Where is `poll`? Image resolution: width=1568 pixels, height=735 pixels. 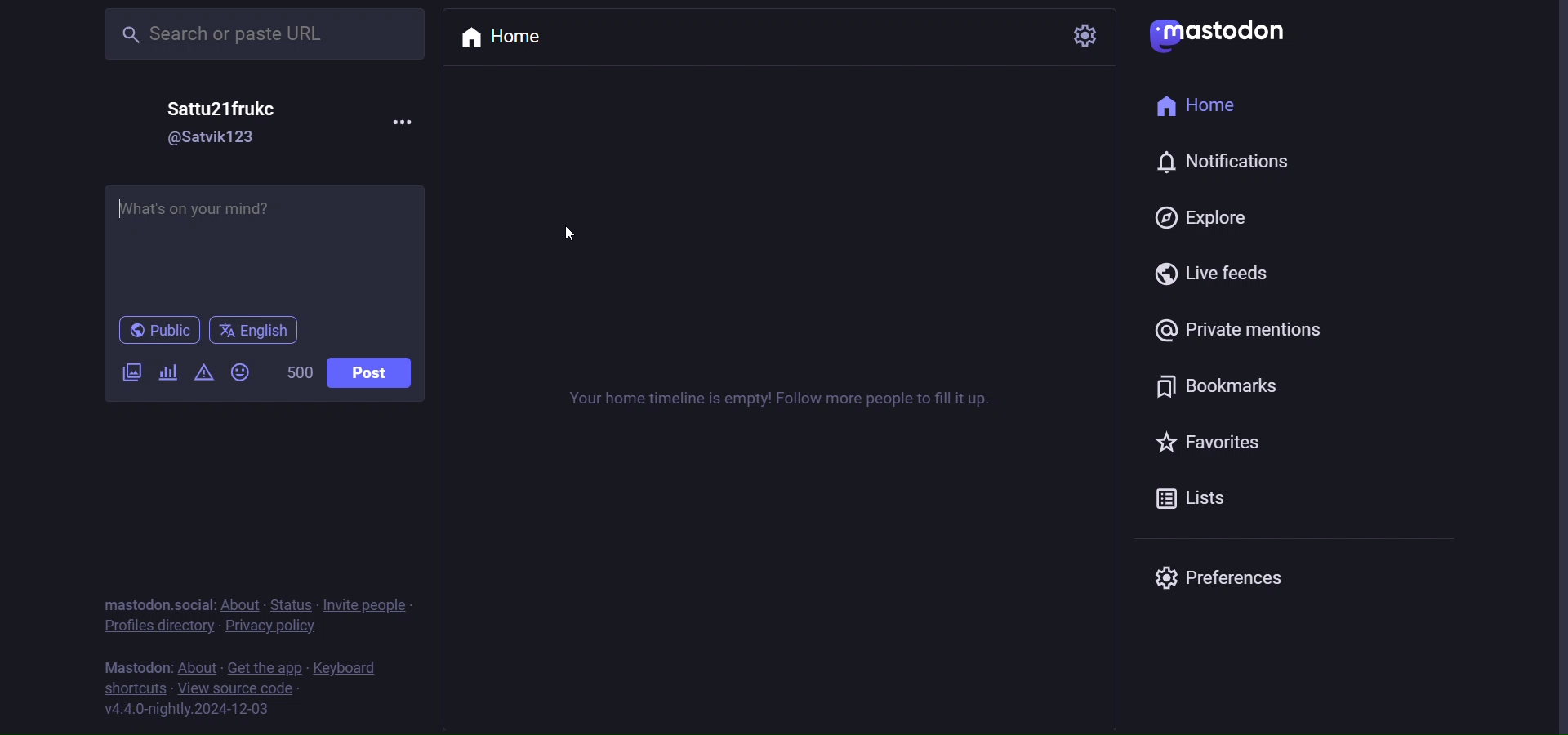
poll is located at coordinates (166, 372).